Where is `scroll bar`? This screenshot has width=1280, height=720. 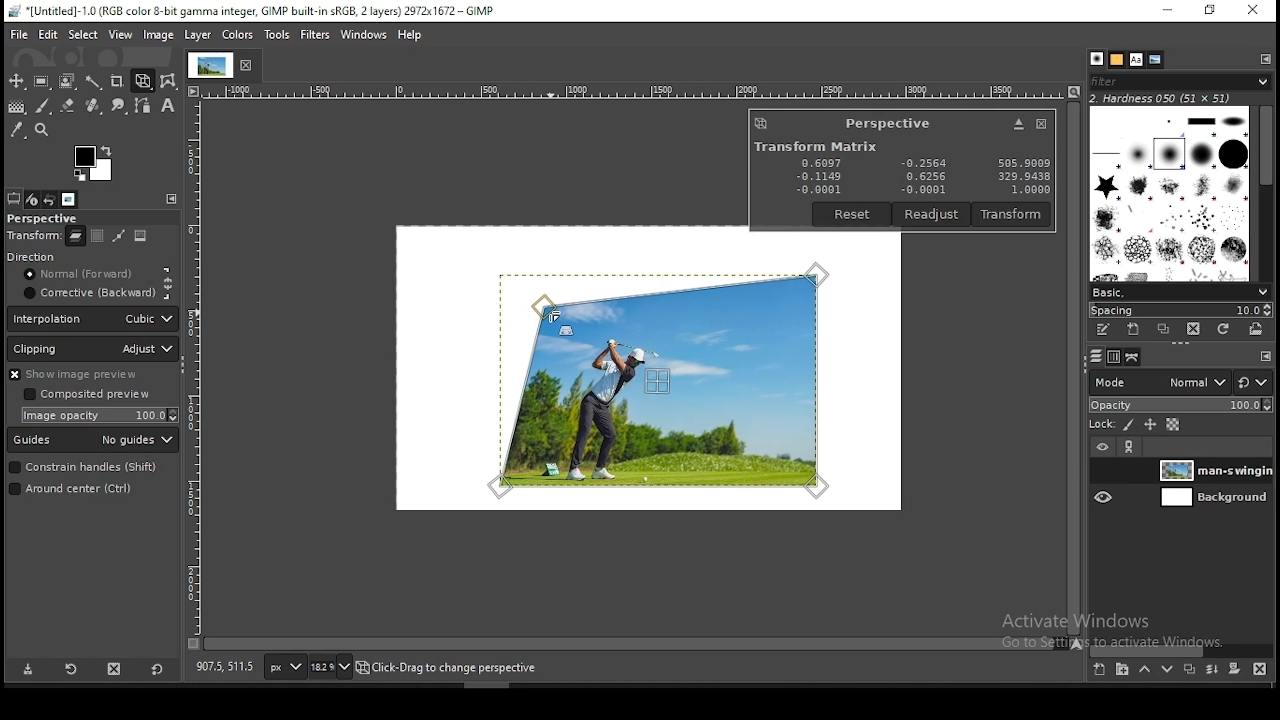
scroll bar is located at coordinates (1265, 194).